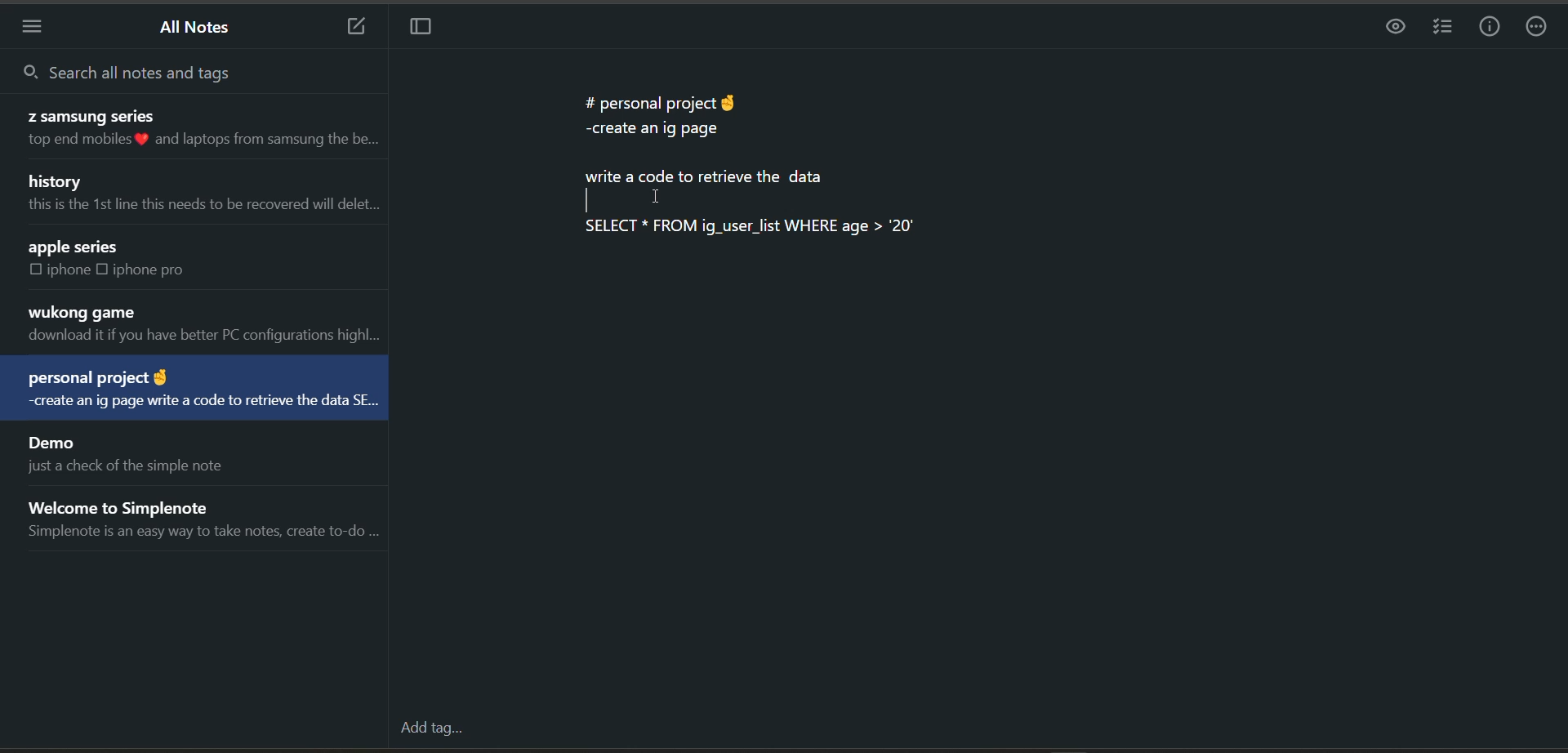 The width and height of the screenshot is (1568, 753). I want to click on note title  and preview, so click(201, 195).